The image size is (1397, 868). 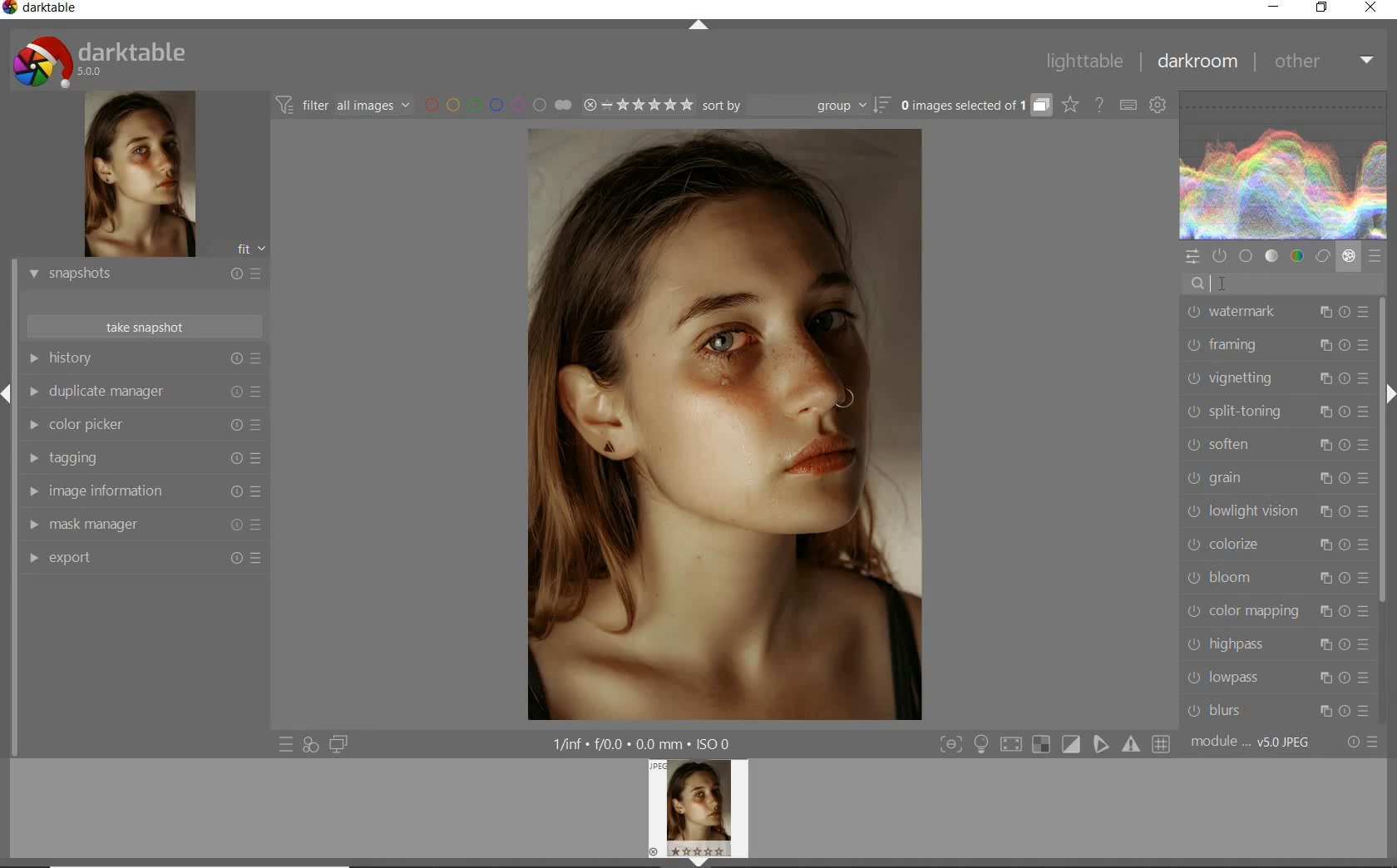 What do you see at coordinates (287, 744) in the screenshot?
I see `quick access to presets` at bounding box center [287, 744].